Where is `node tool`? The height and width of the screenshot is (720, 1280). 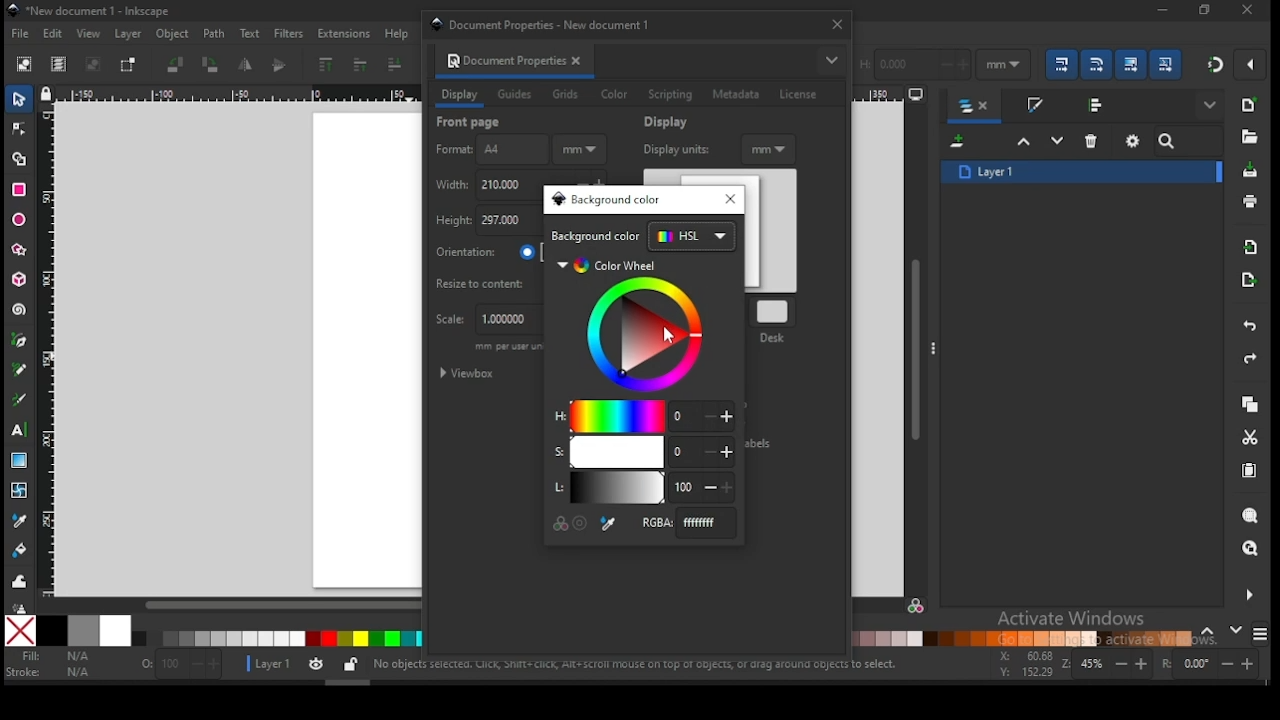 node tool is located at coordinates (20, 128).